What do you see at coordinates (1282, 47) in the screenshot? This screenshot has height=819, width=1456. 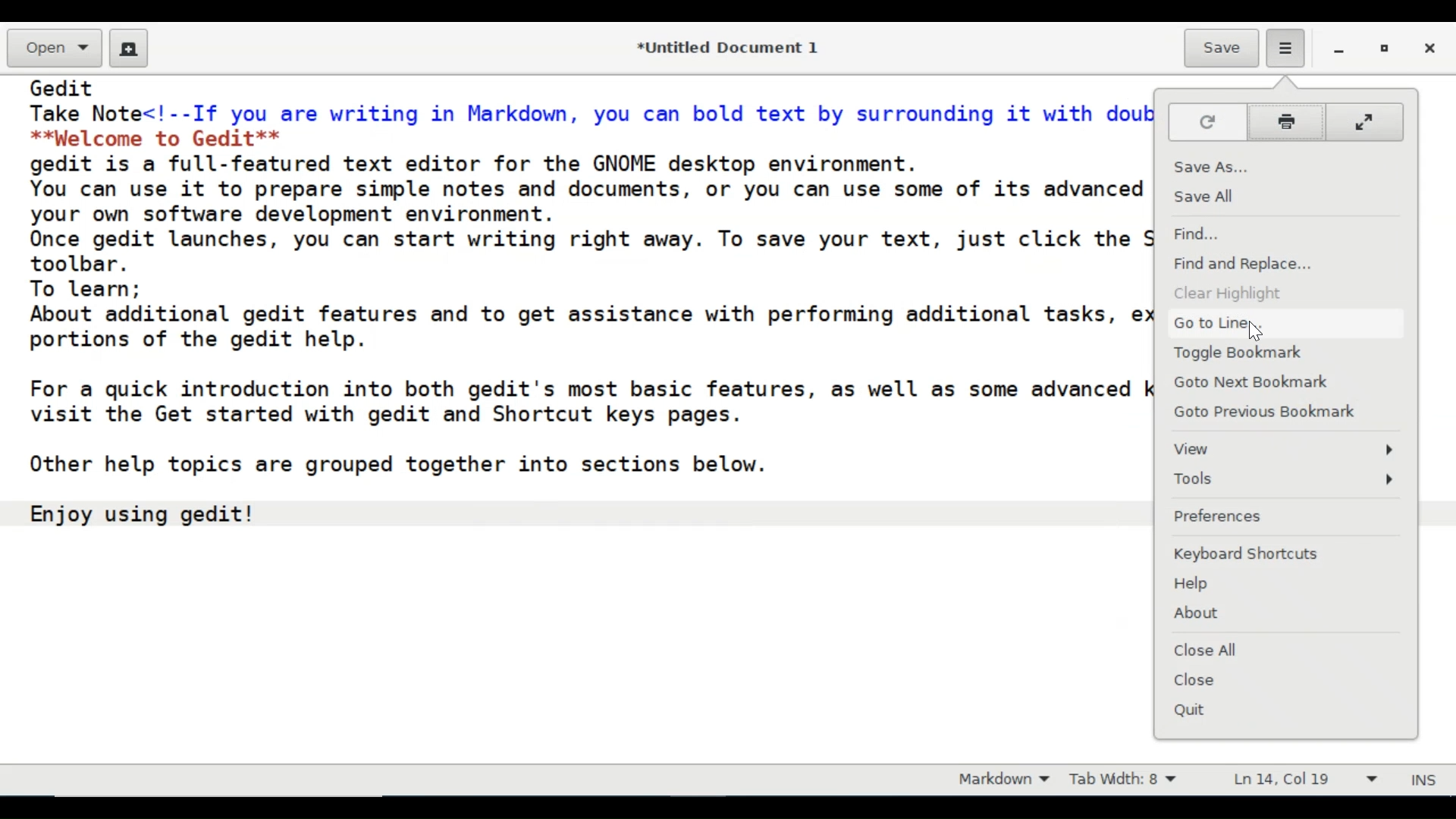 I see `Application menu` at bounding box center [1282, 47].